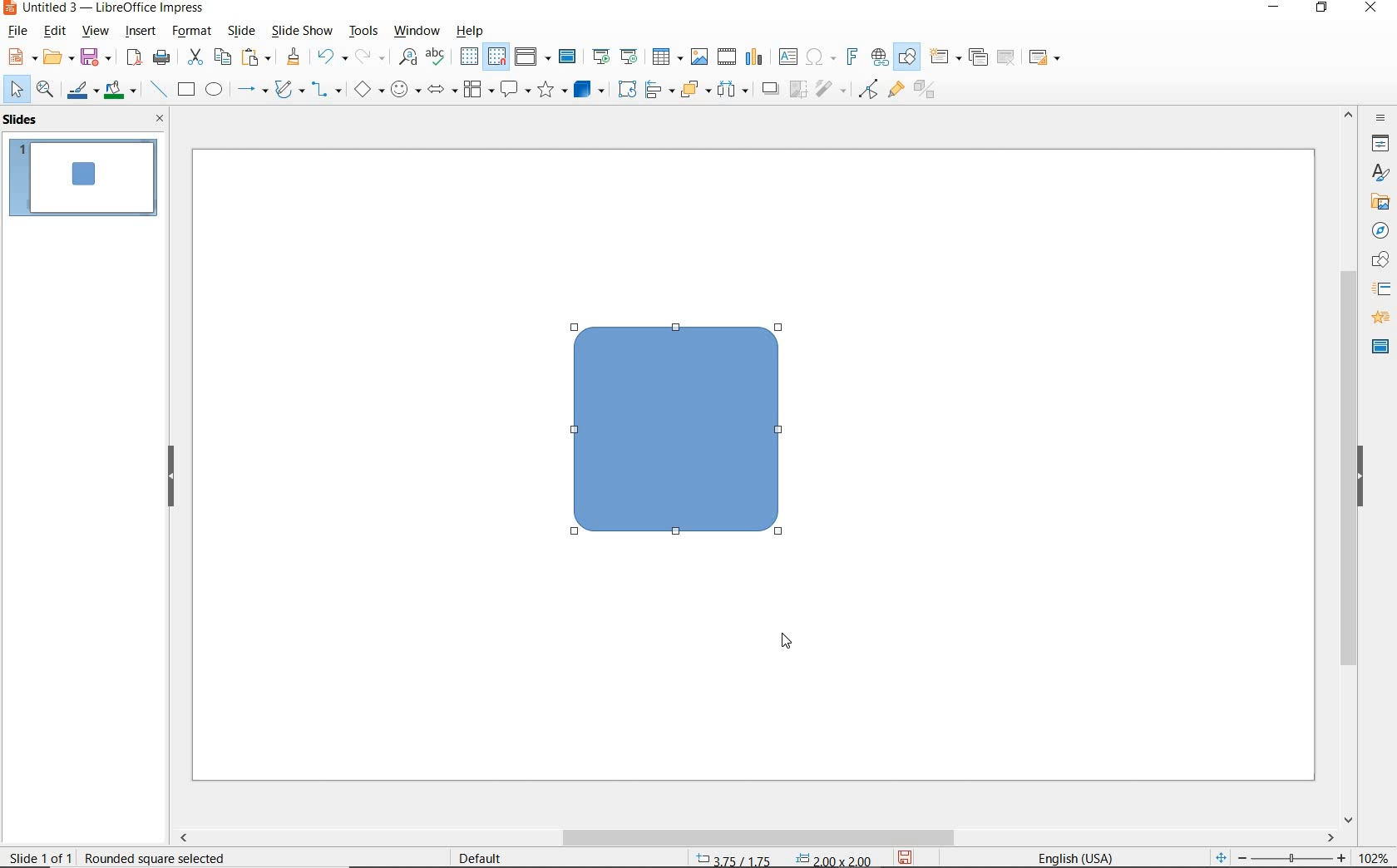 This screenshot has width=1397, height=868. I want to click on redo, so click(370, 58).